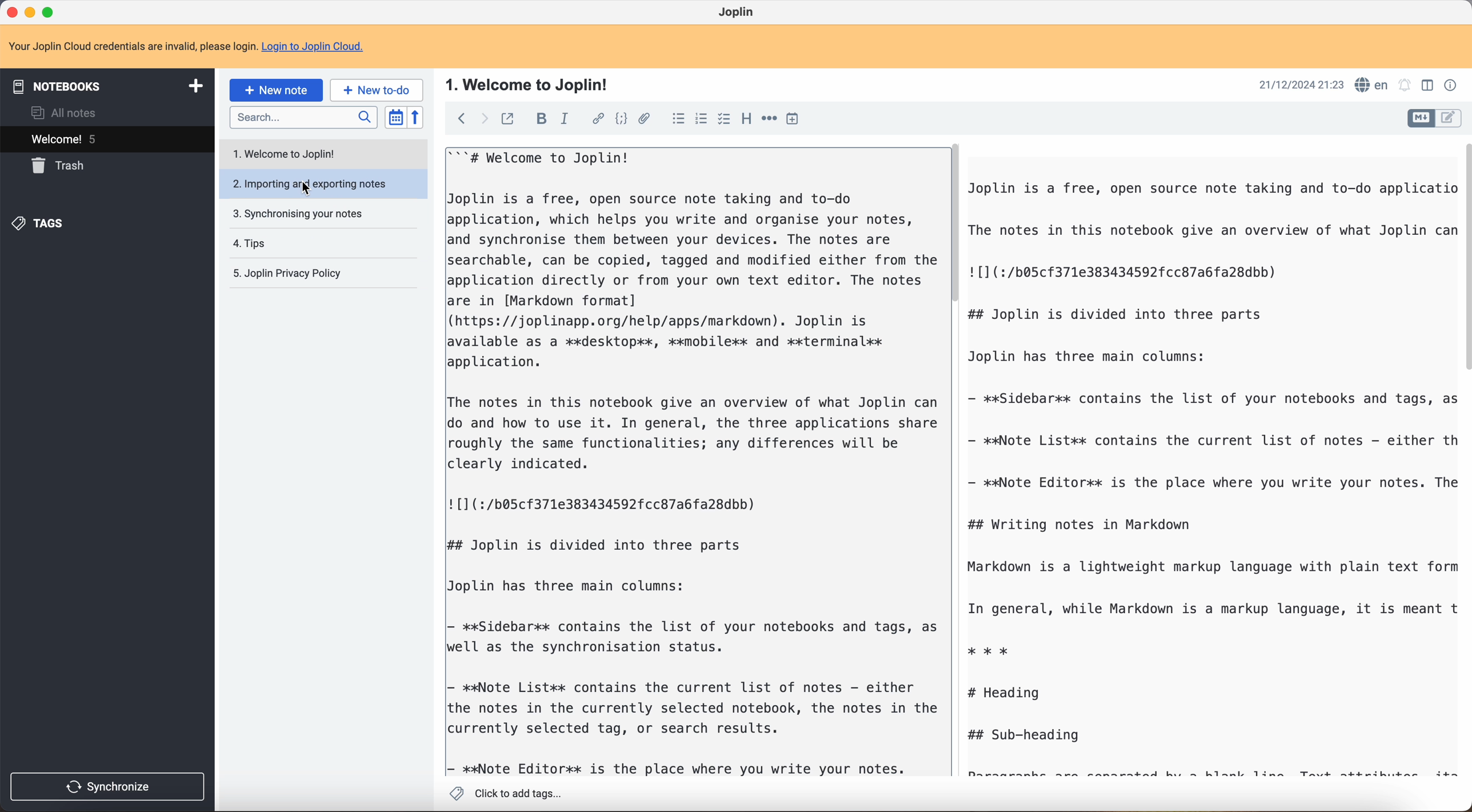 Image resolution: width=1472 pixels, height=812 pixels. What do you see at coordinates (321, 182) in the screenshot?
I see `importing and exporting notes` at bounding box center [321, 182].